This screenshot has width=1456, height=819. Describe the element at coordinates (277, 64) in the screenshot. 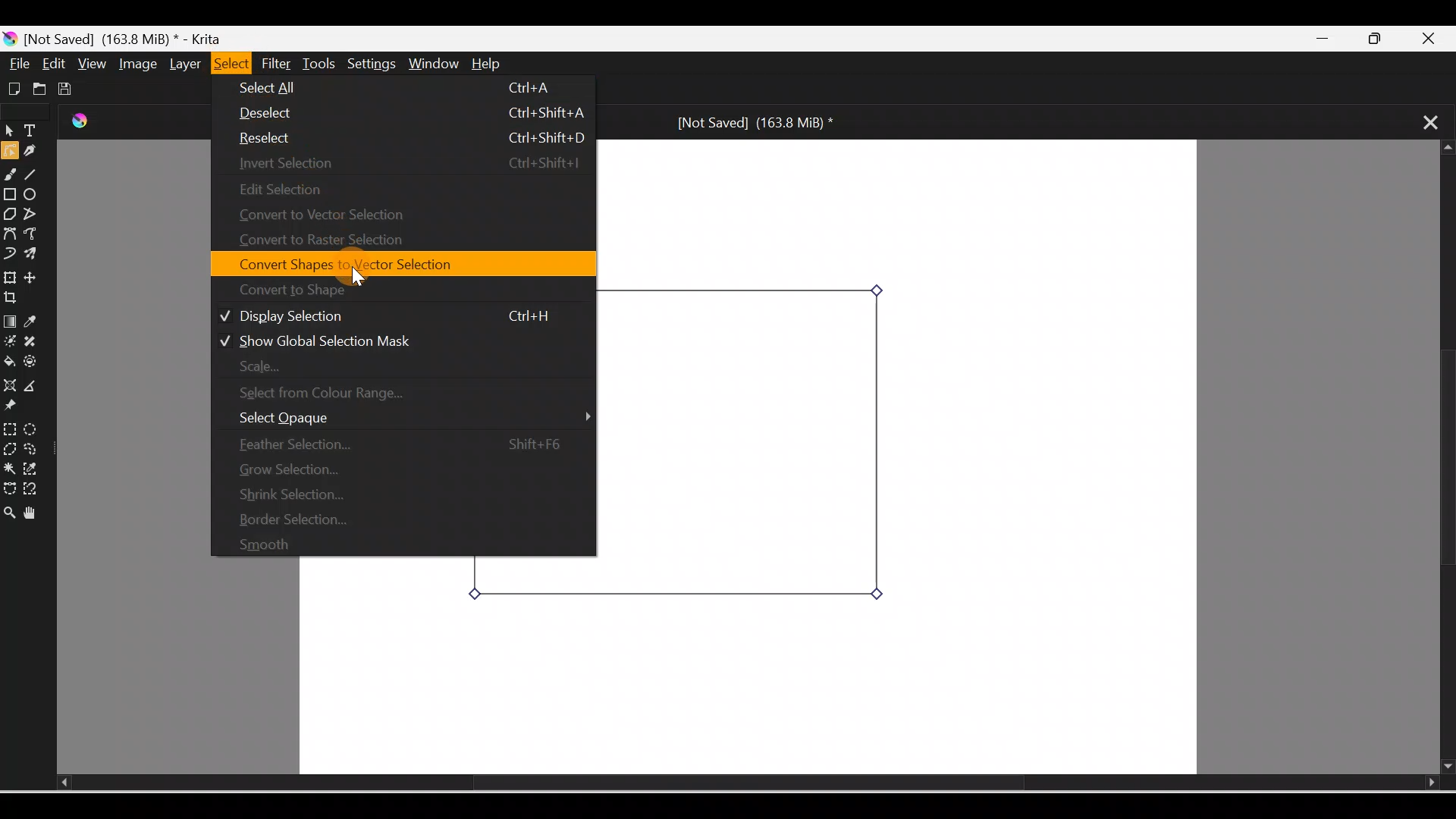

I see `Filter` at that location.